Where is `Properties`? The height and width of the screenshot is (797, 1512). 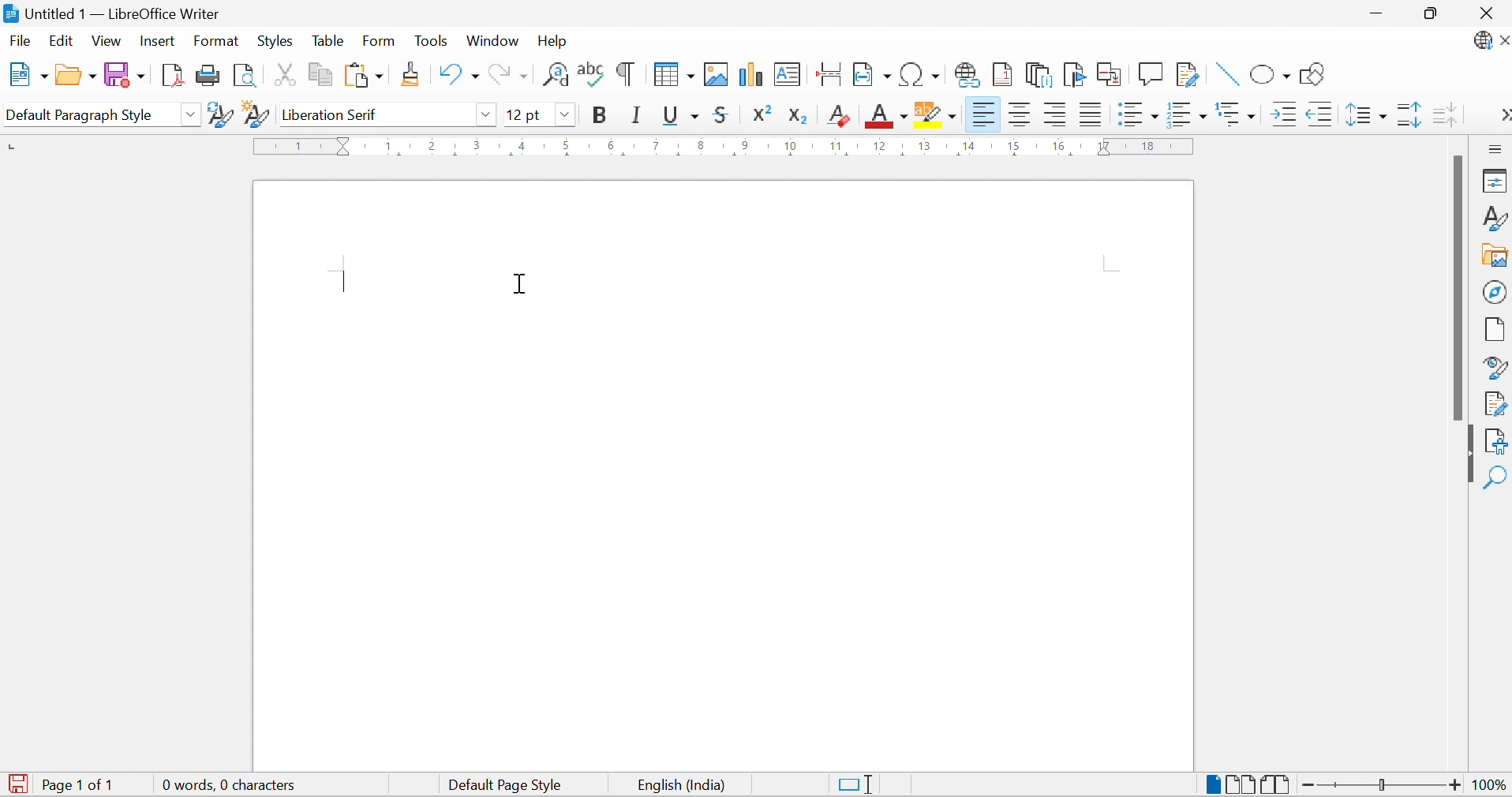
Properties is located at coordinates (1494, 181).